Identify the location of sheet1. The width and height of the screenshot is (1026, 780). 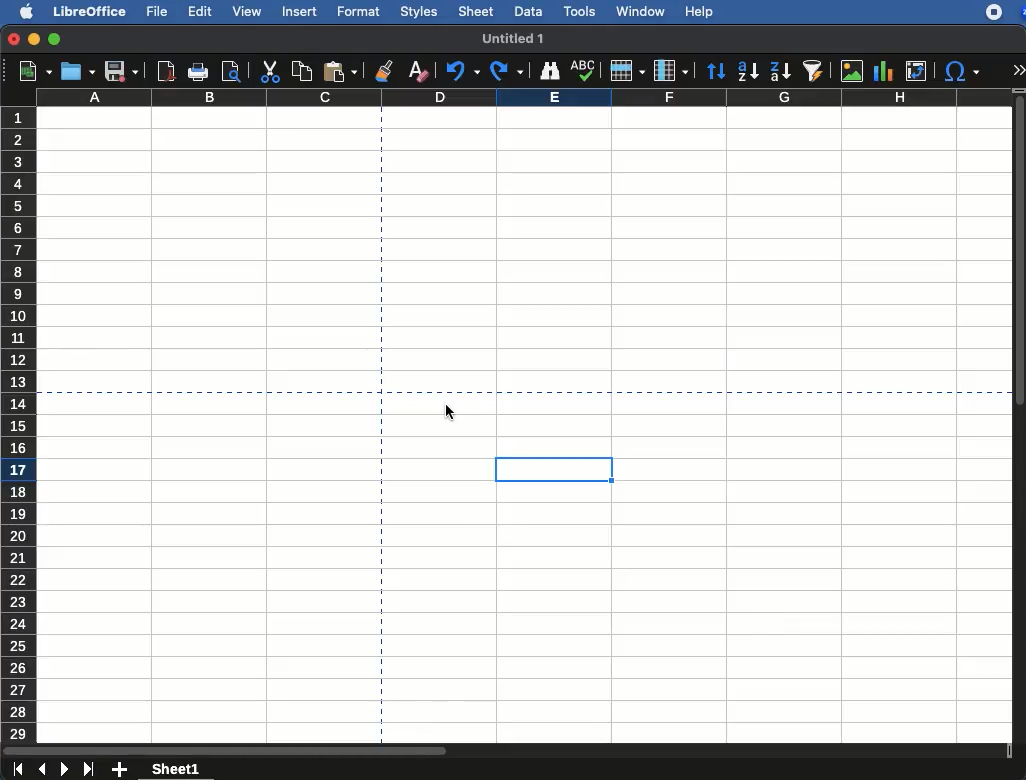
(177, 768).